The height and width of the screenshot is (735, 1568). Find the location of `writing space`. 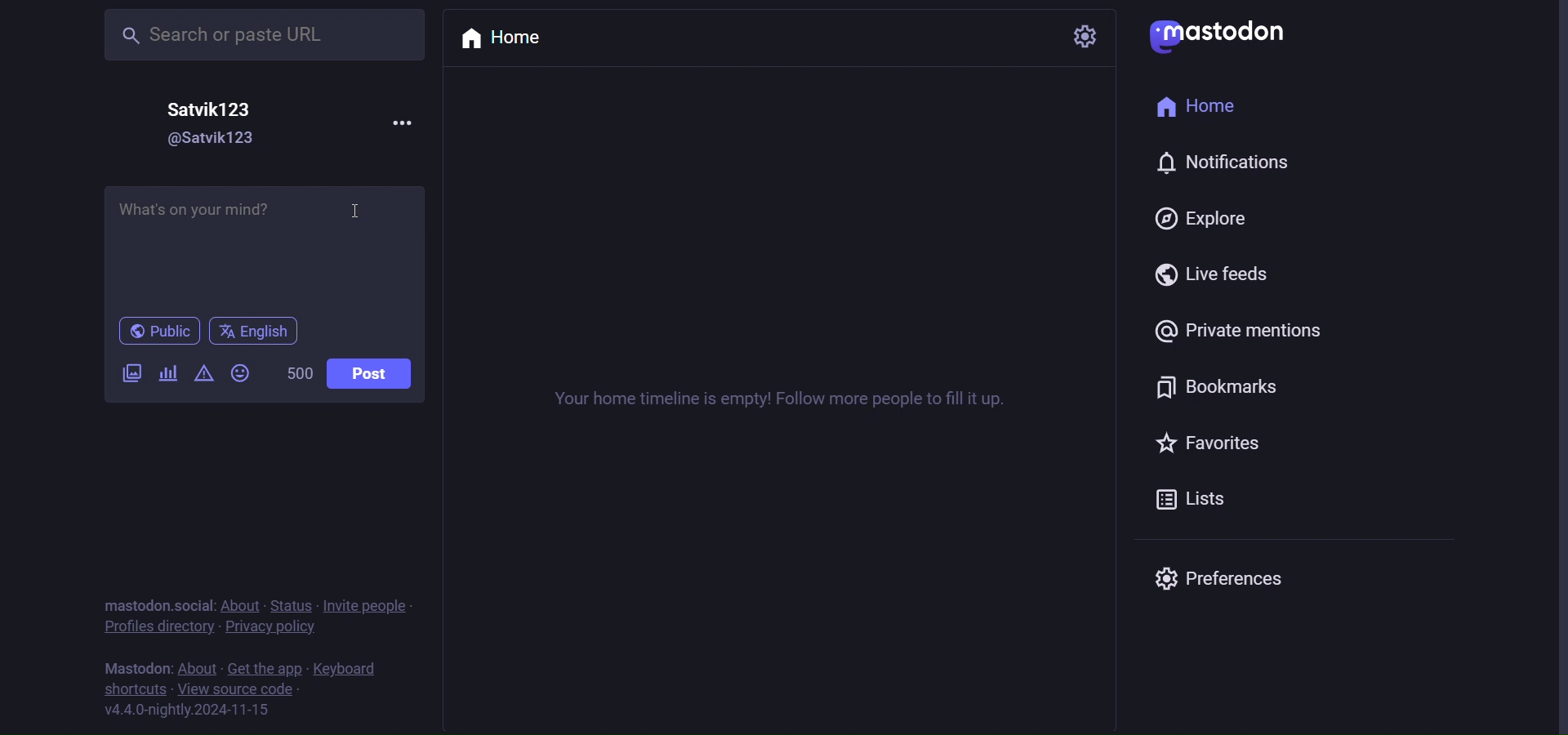

writing space is located at coordinates (264, 249).